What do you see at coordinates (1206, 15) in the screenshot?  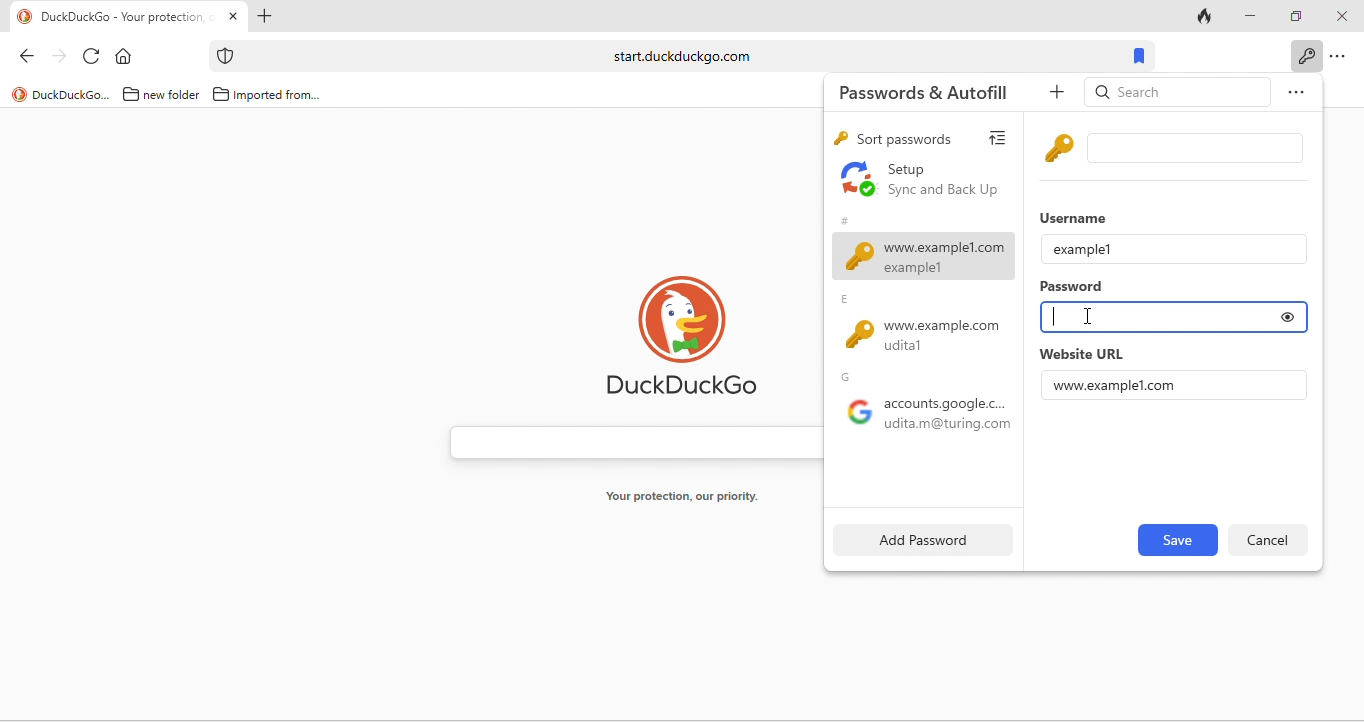 I see `track tab` at bounding box center [1206, 15].